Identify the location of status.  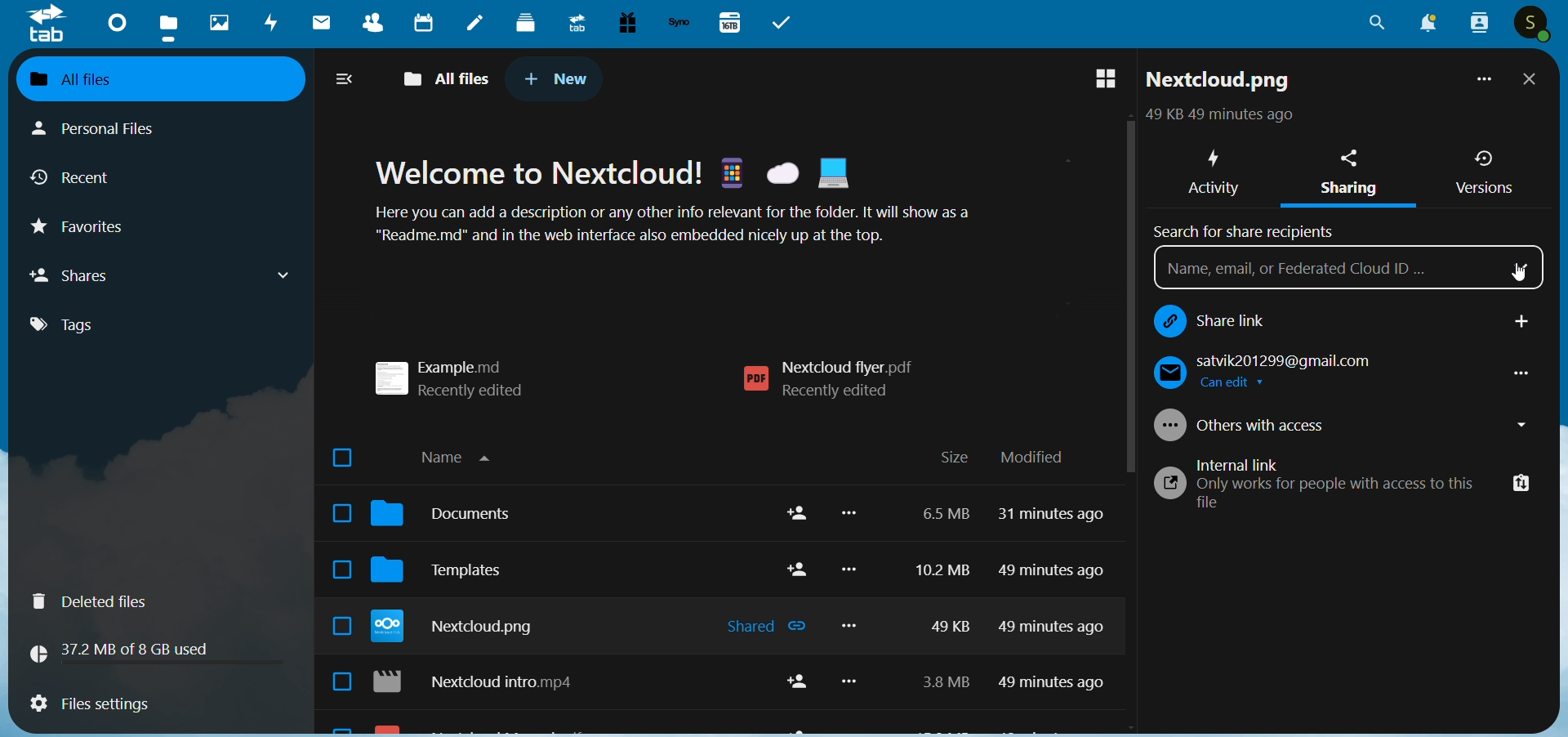
(1216, 117).